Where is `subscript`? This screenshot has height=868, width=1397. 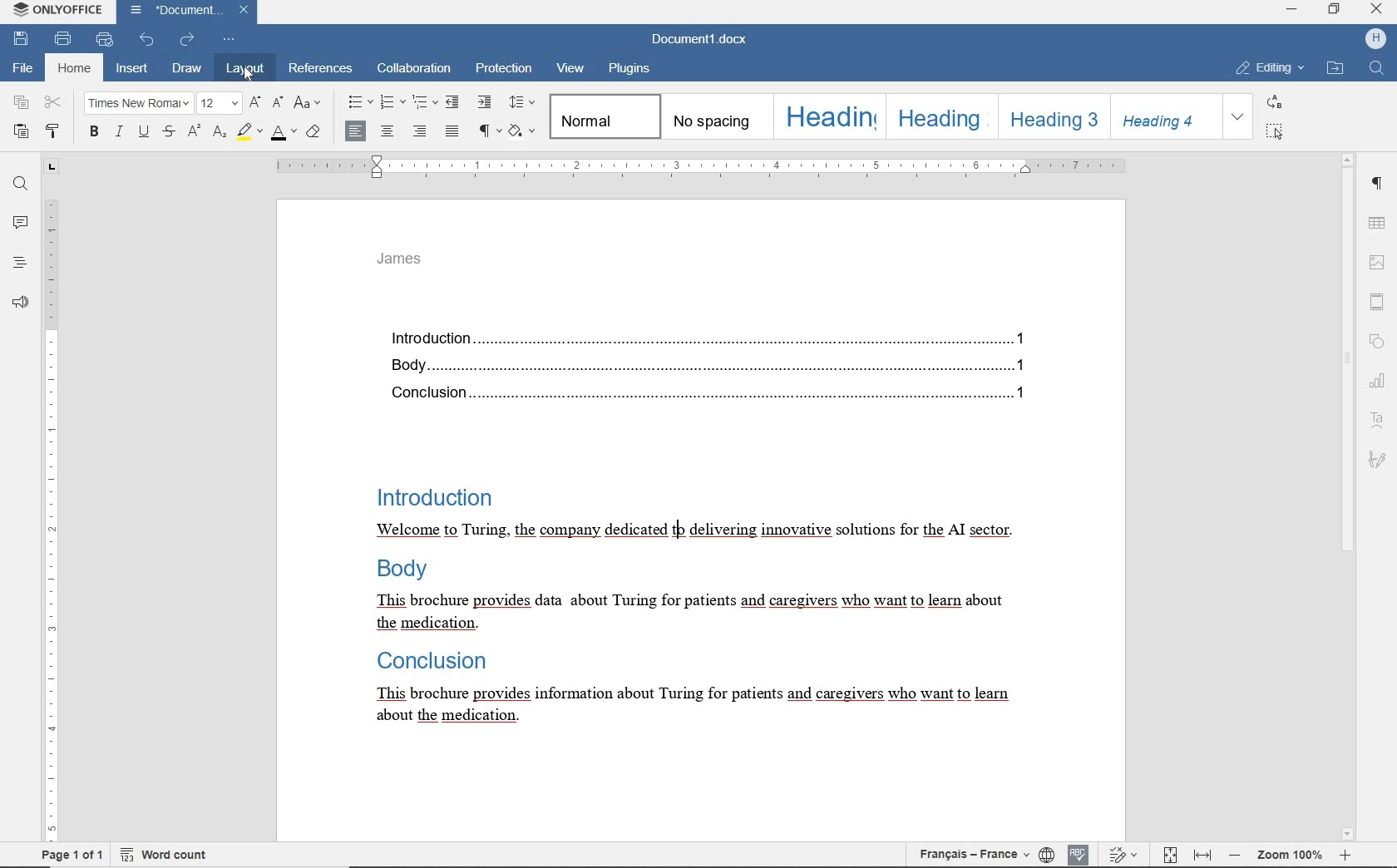
subscript is located at coordinates (220, 133).